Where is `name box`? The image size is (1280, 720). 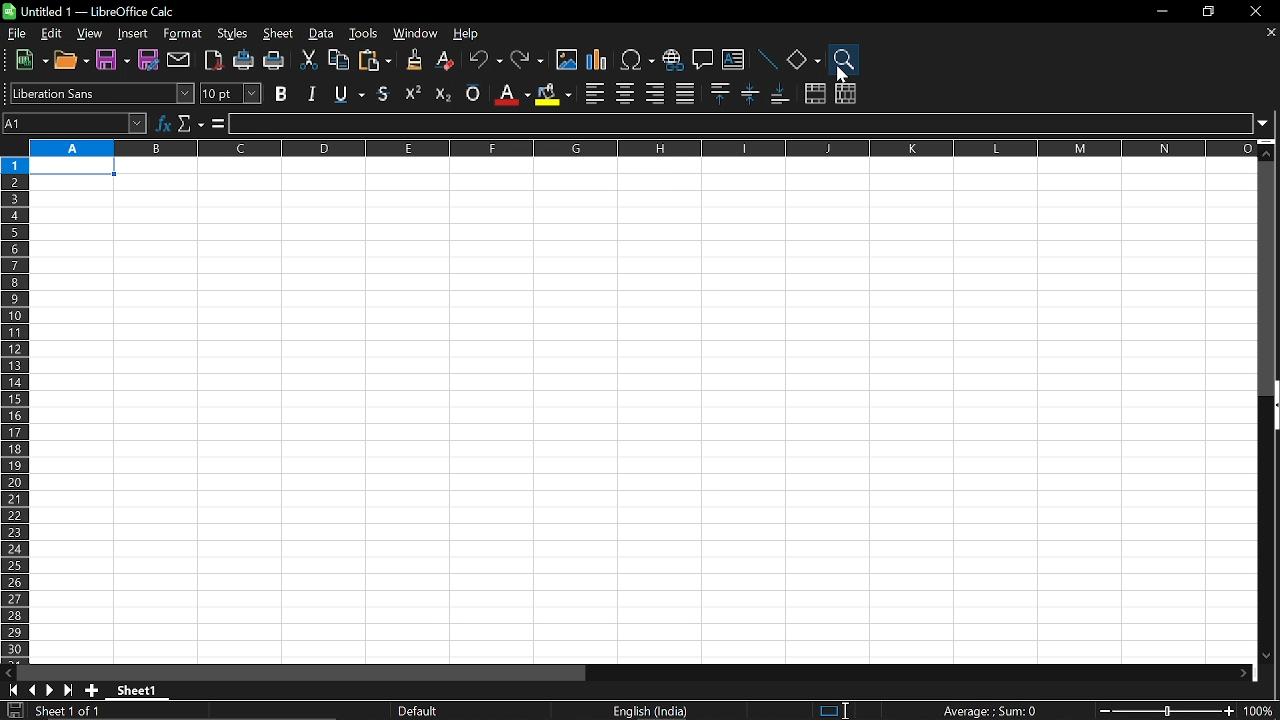 name box is located at coordinates (76, 123).